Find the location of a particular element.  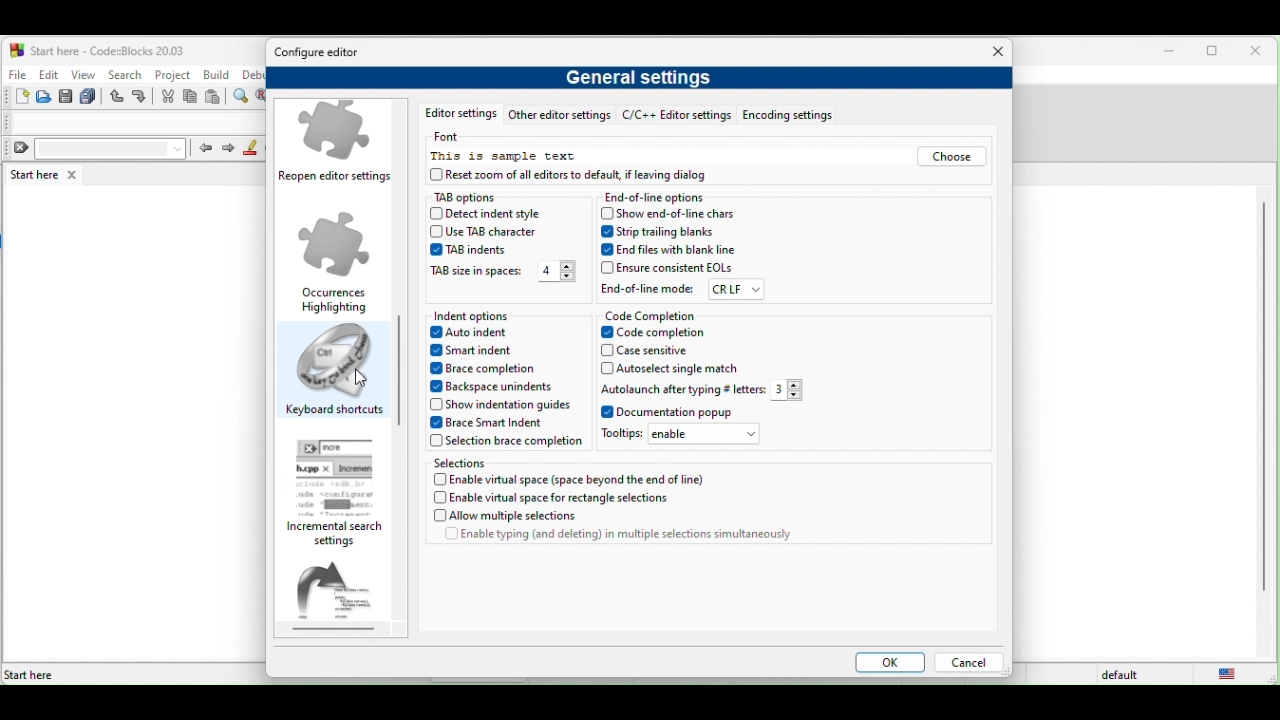

end files with blank line is located at coordinates (671, 250).